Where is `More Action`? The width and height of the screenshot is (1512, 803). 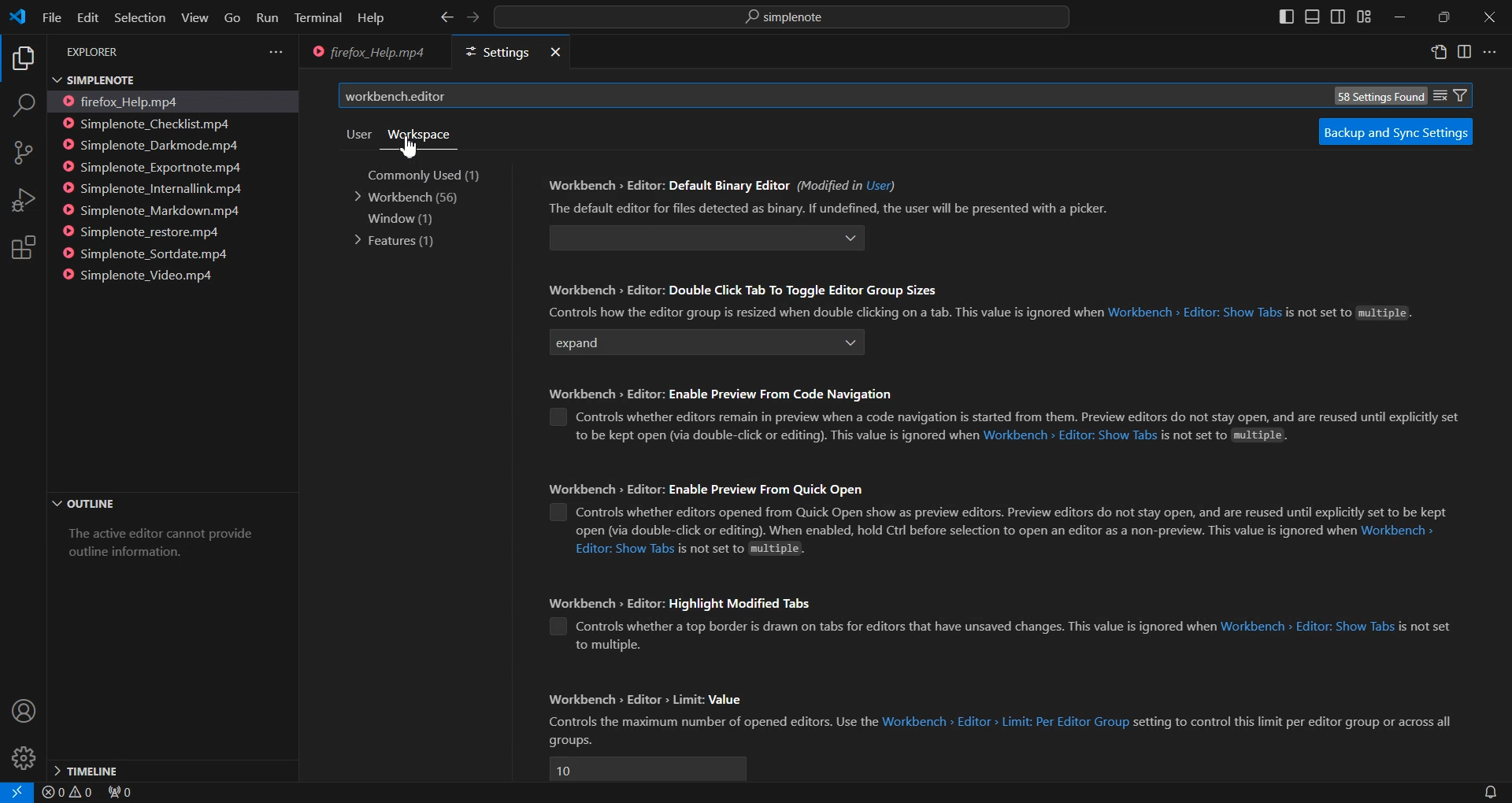 More Action is located at coordinates (1489, 52).